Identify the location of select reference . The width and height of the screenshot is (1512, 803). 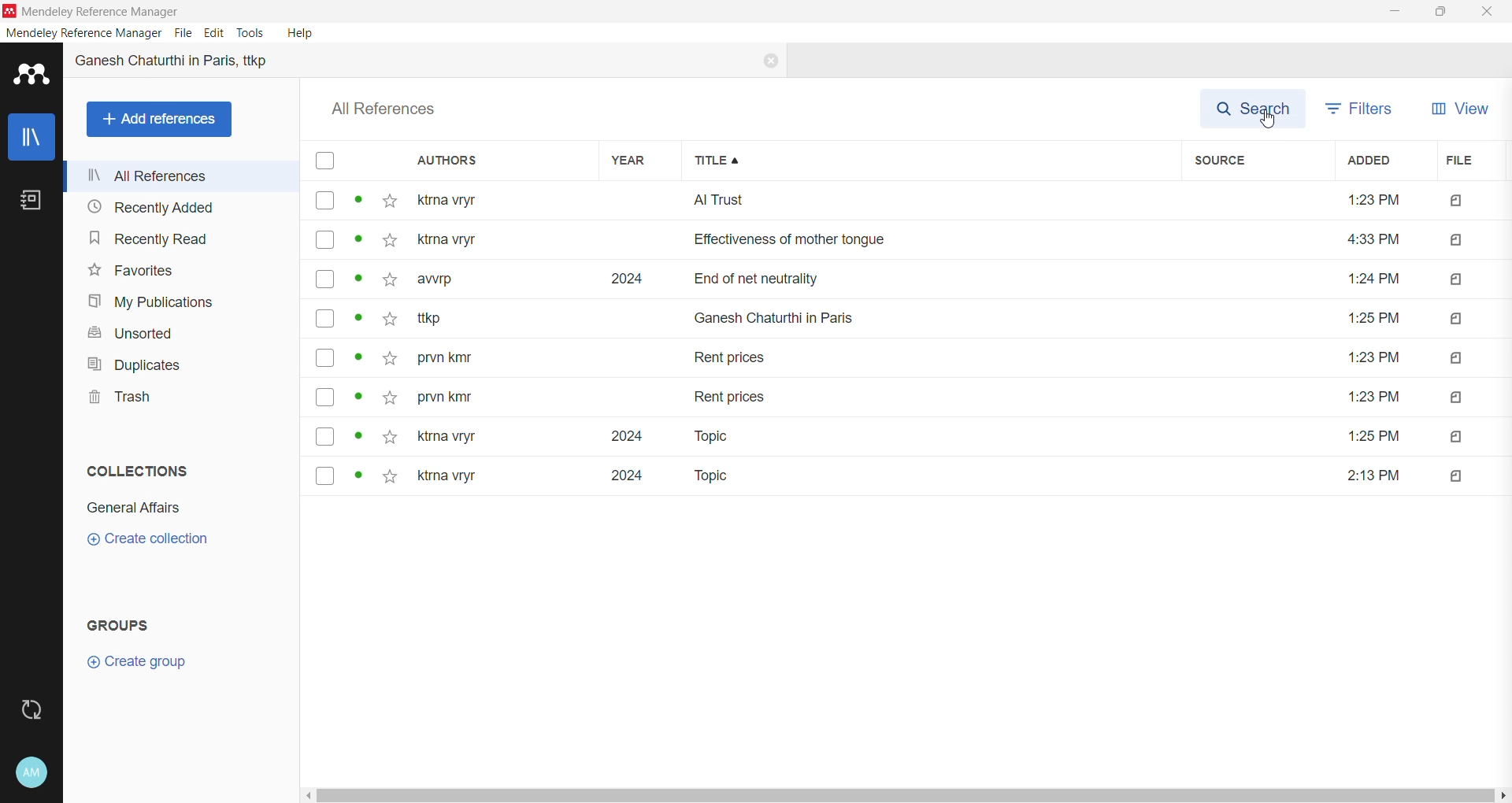
(324, 200).